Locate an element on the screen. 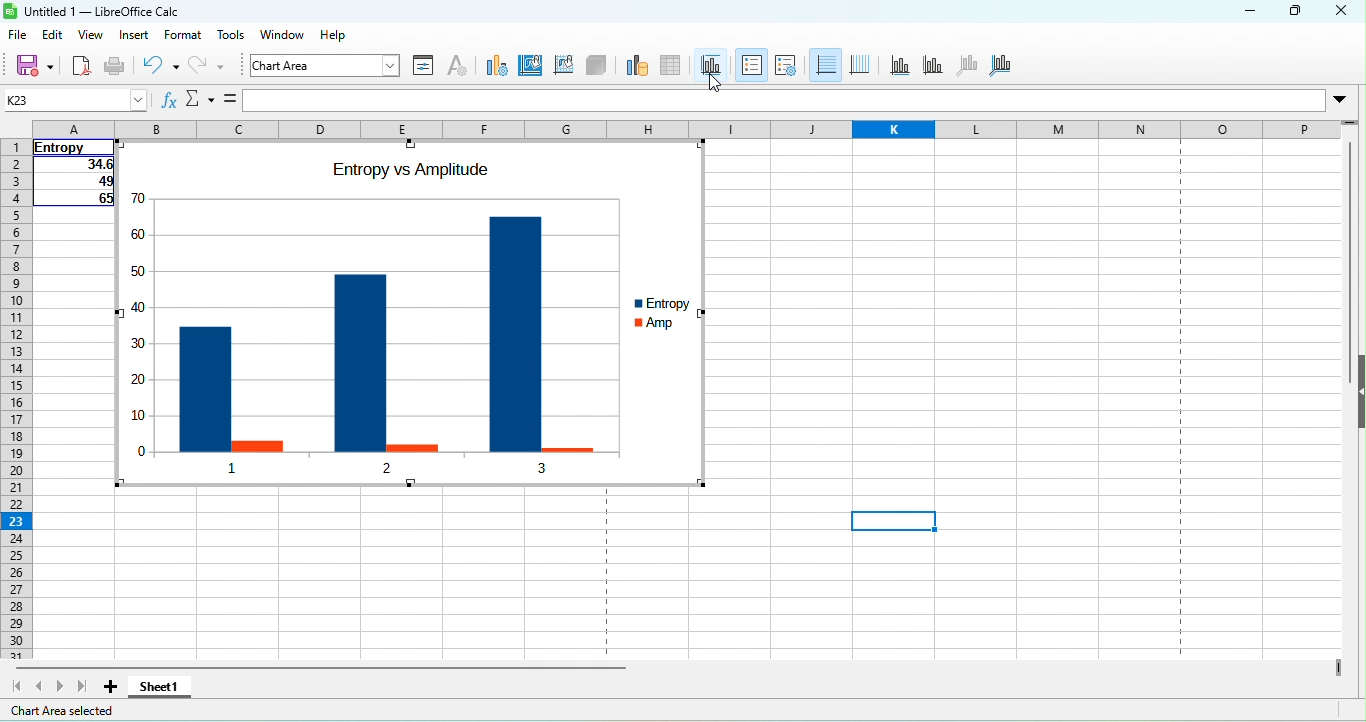  scroll to last sheet is located at coordinates (82, 687).